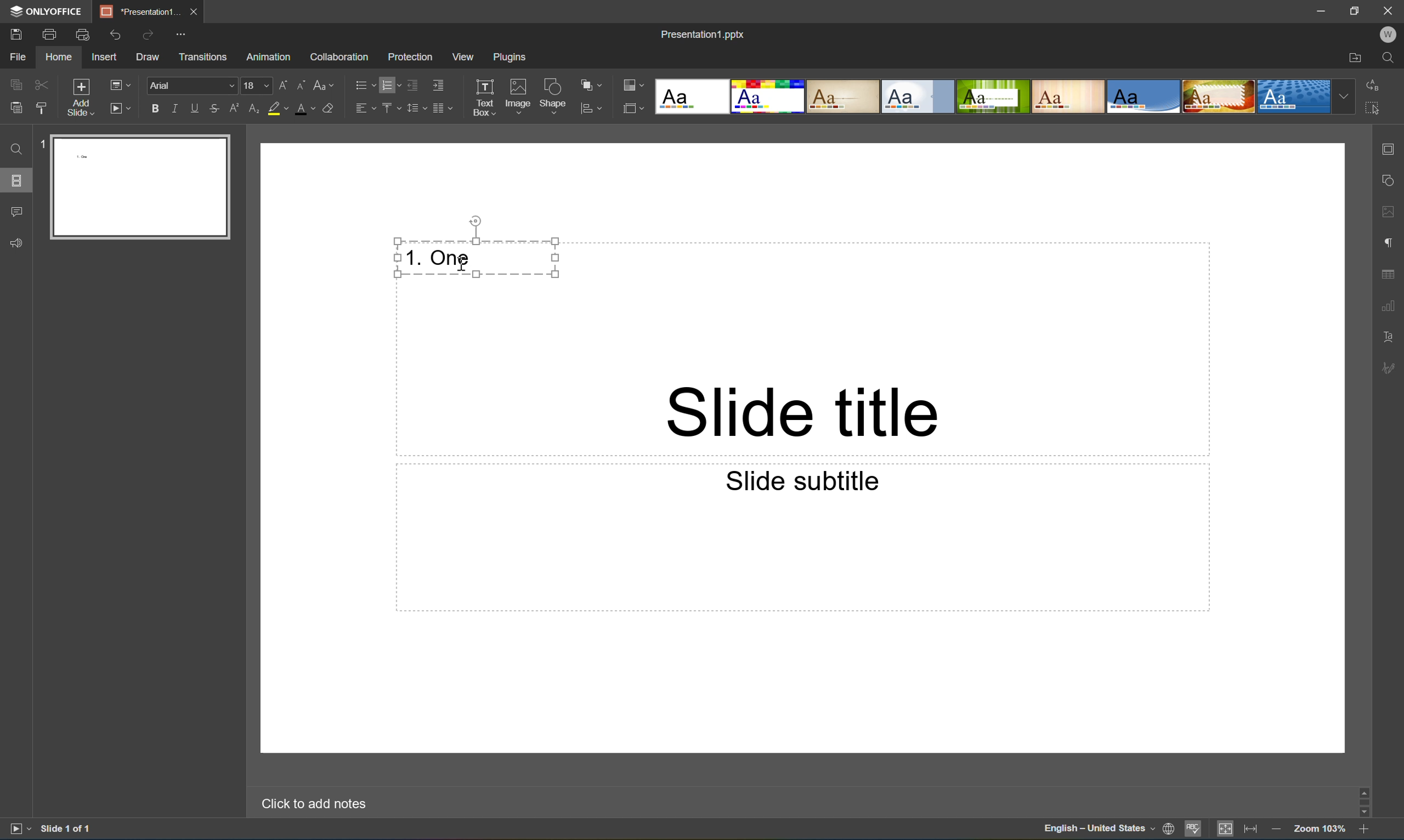 This screenshot has height=840, width=1404. What do you see at coordinates (18, 829) in the screenshot?
I see `Slide show` at bounding box center [18, 829].